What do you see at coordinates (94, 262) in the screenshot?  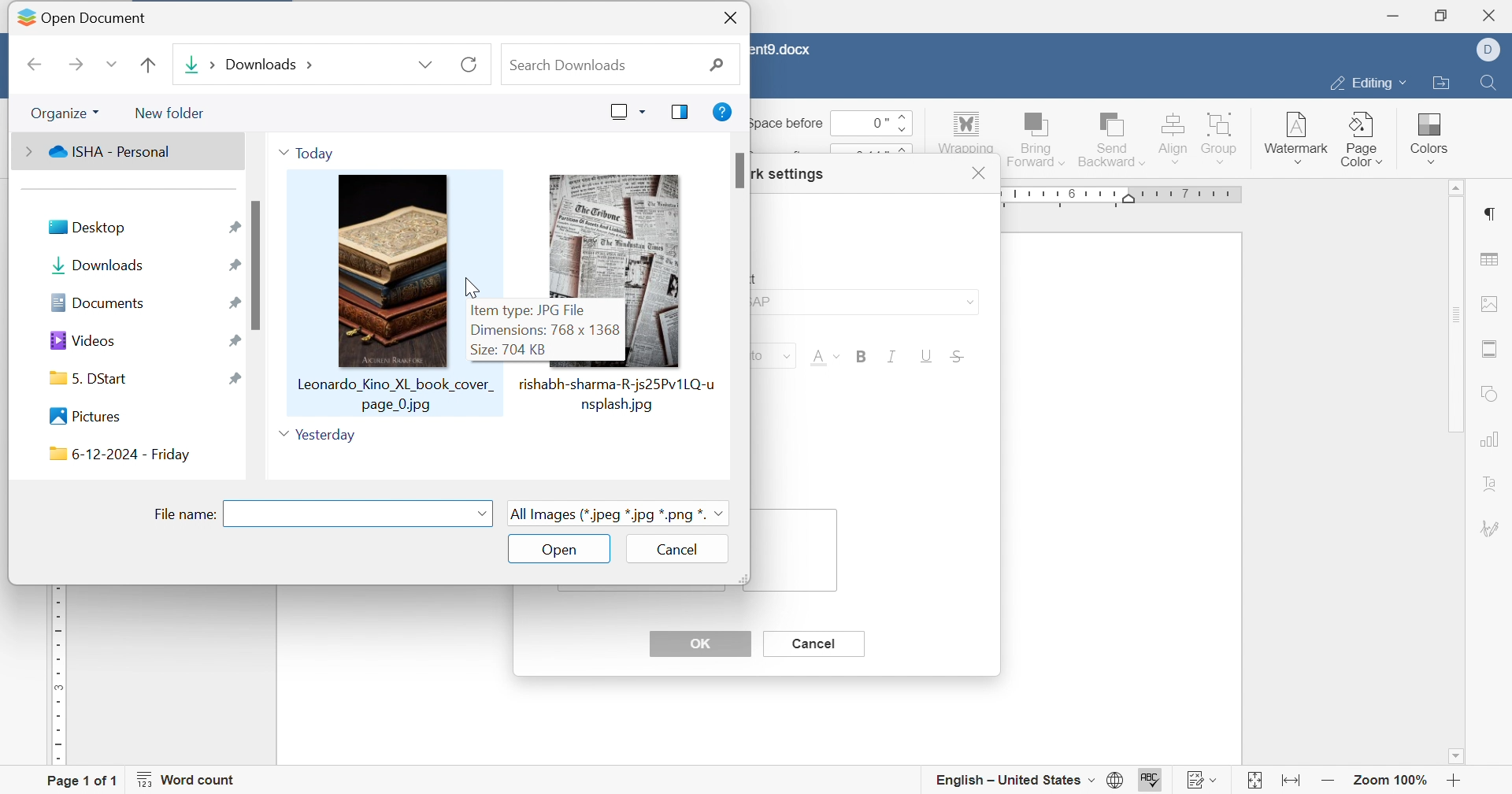 I see `downloads` at bounding box center [94, 262].